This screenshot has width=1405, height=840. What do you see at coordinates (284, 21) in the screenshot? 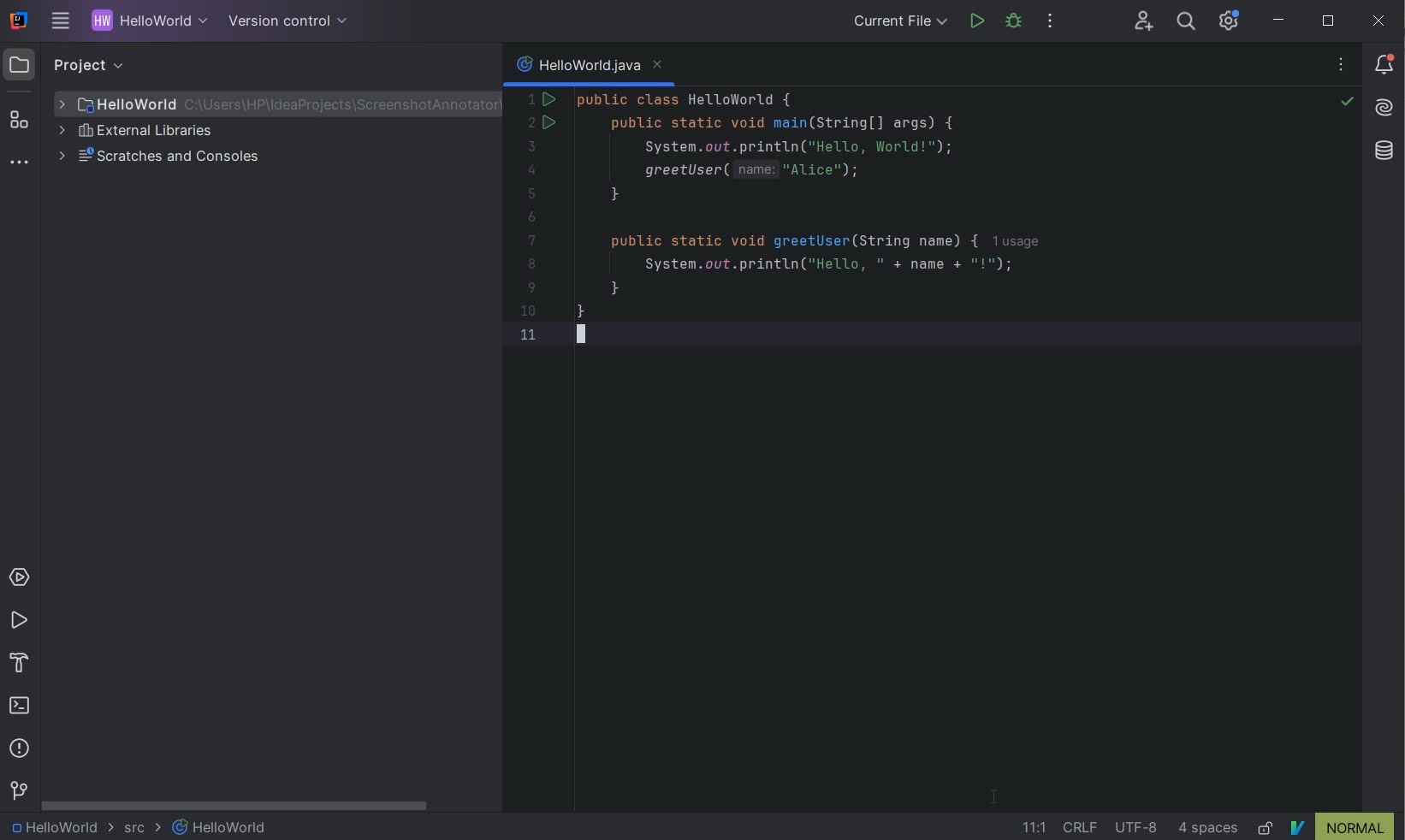
I see `VERSION CONTROL` at bounding box center [284, 21].